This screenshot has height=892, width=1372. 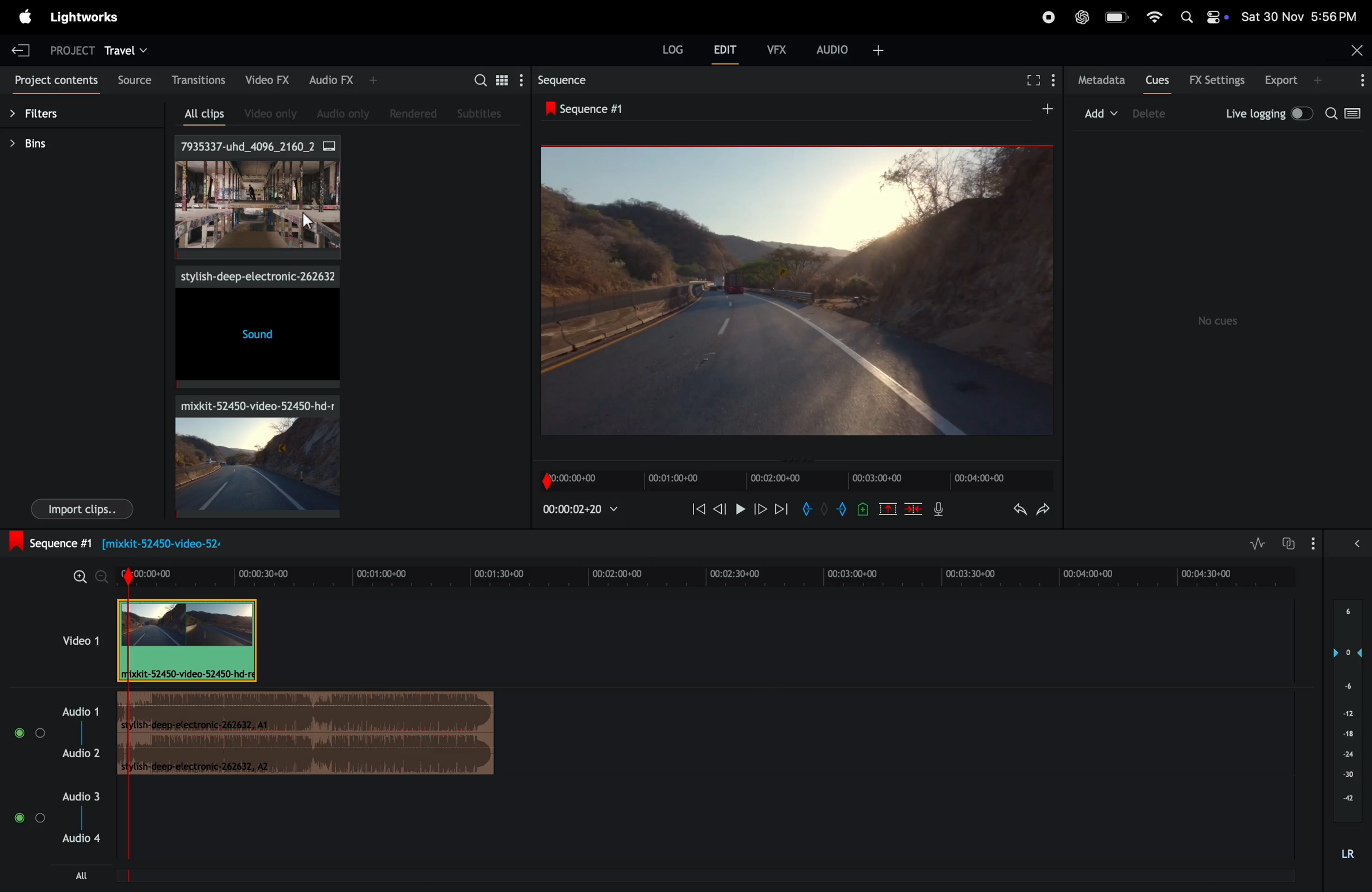 What do you see at coordinates (795, 290) in the screenshot?
I see `output frame` at bounding box center [795, 290].